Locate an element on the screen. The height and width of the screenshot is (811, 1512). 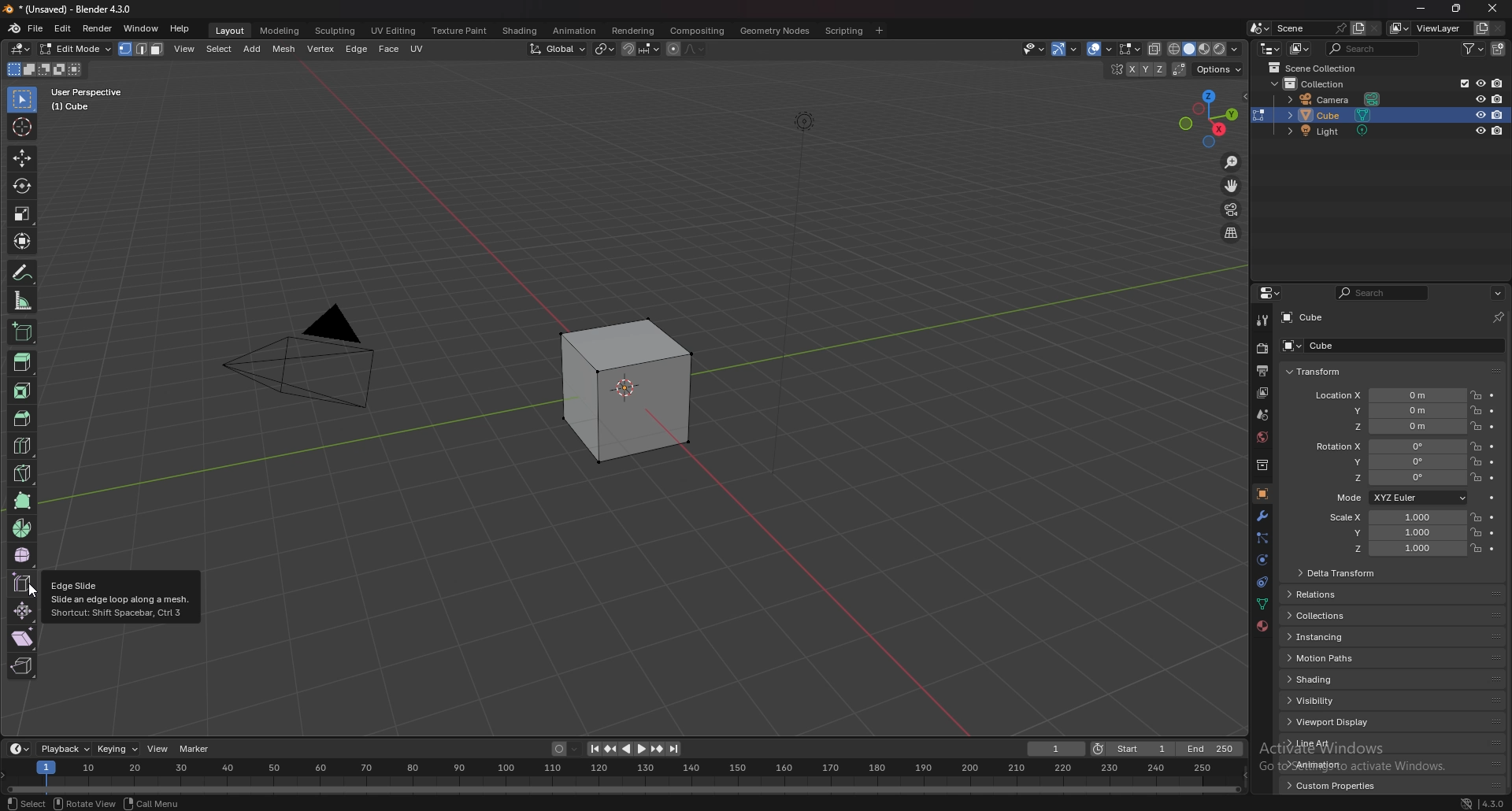
rotate is located at coordinates (21, 186).